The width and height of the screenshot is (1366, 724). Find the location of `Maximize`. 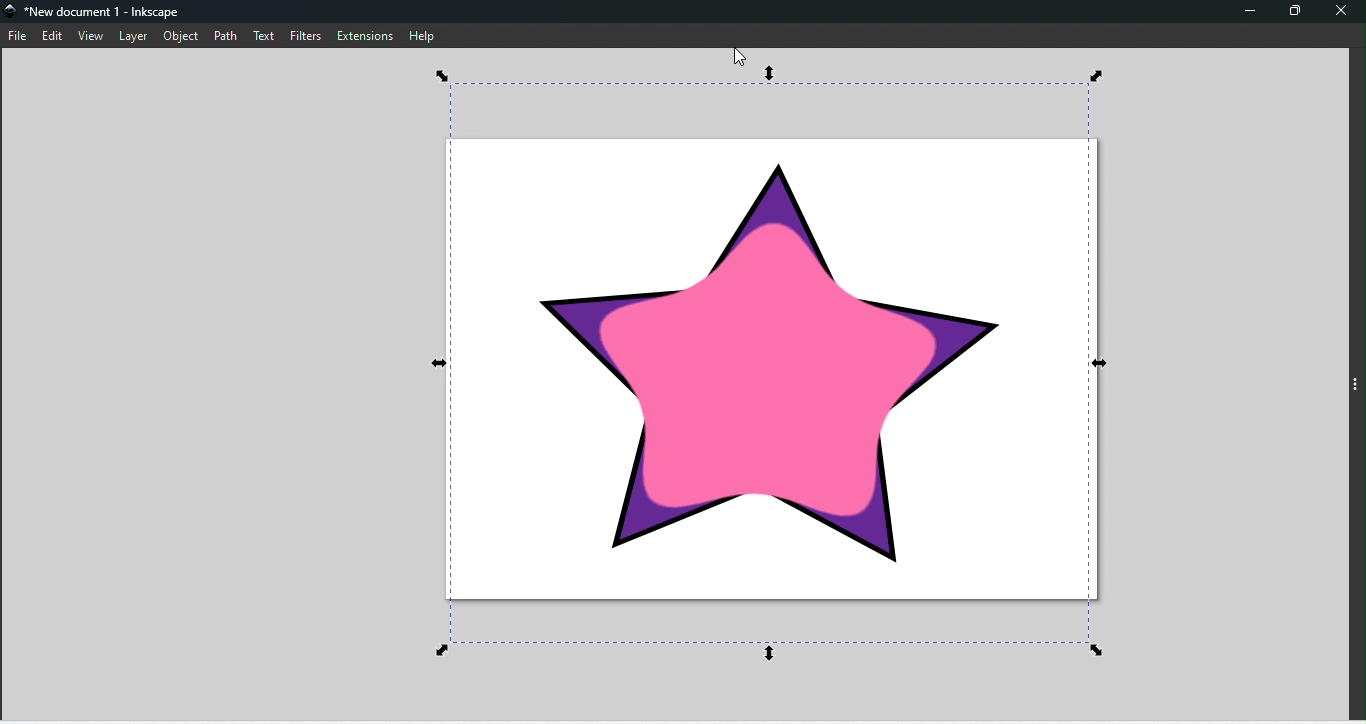

Maximize is located at coordinates (1292, 10).